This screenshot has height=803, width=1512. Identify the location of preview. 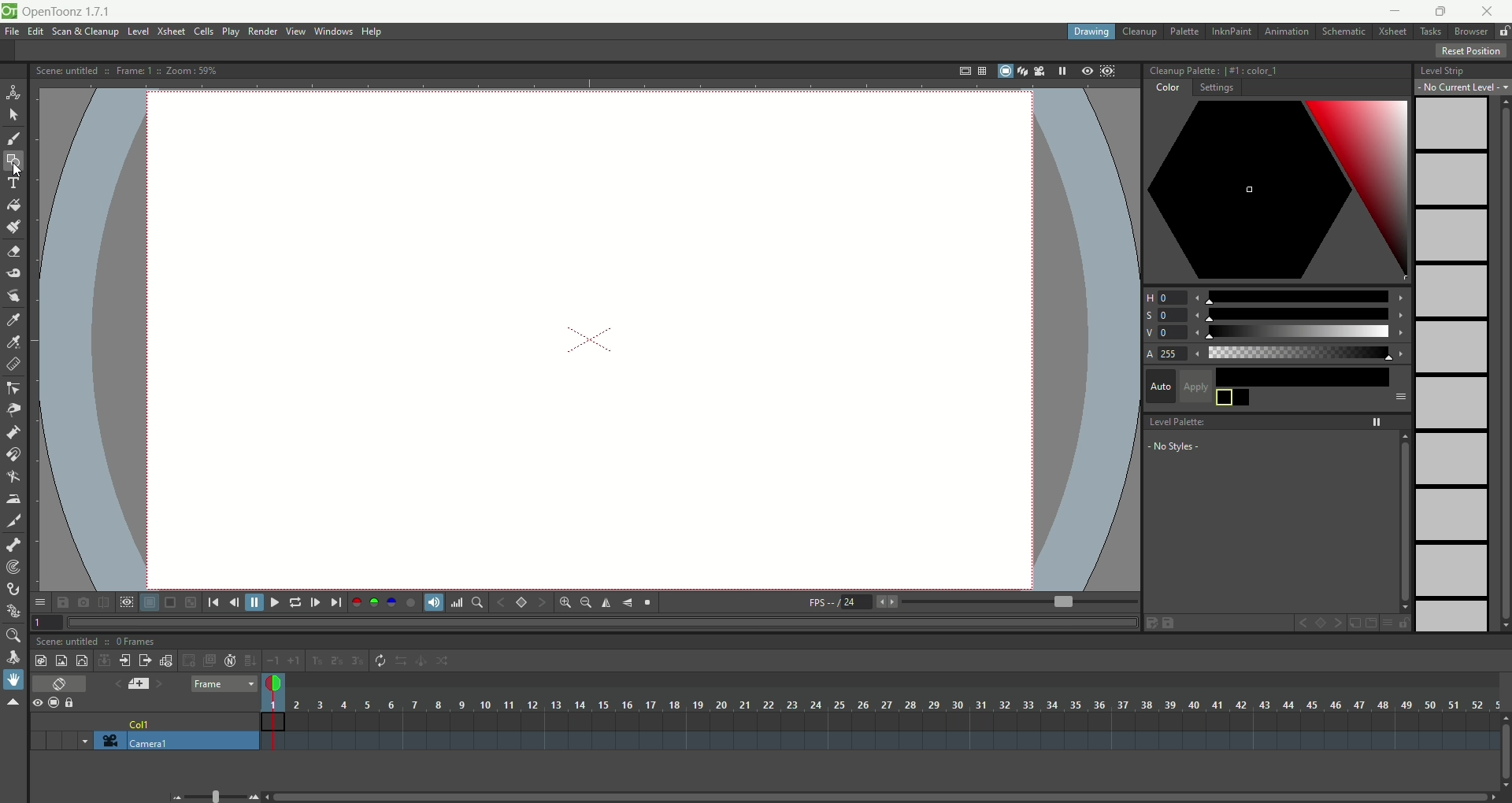
(1084, 72).